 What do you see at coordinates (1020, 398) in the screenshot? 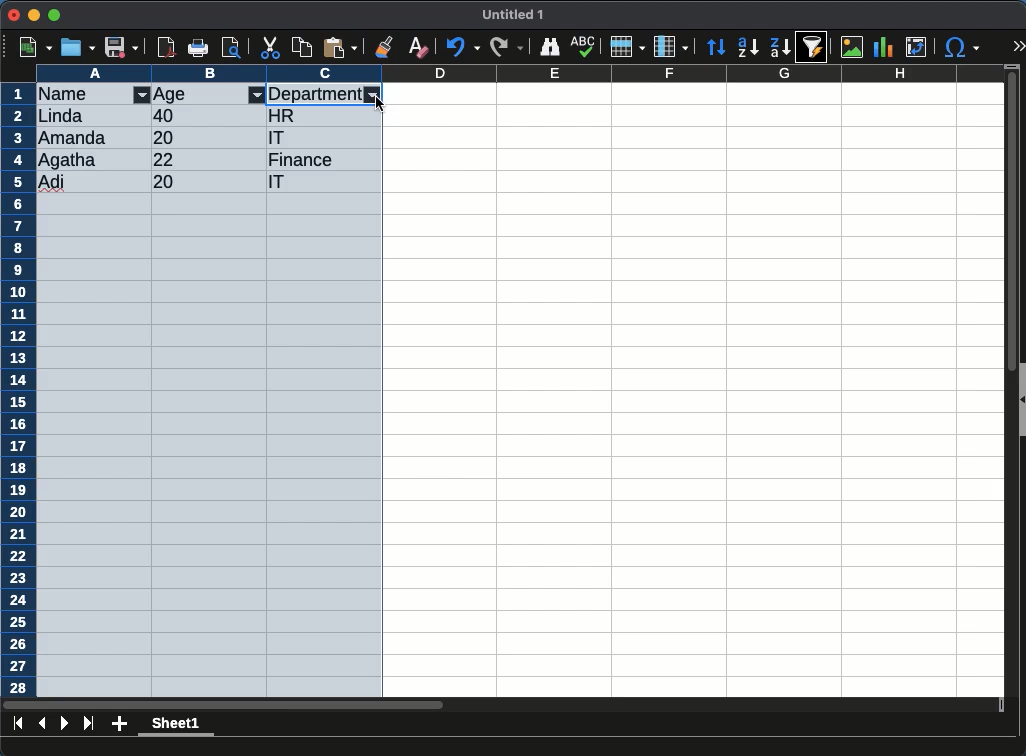
I see `collapse` at bounding box center [1020, 398].